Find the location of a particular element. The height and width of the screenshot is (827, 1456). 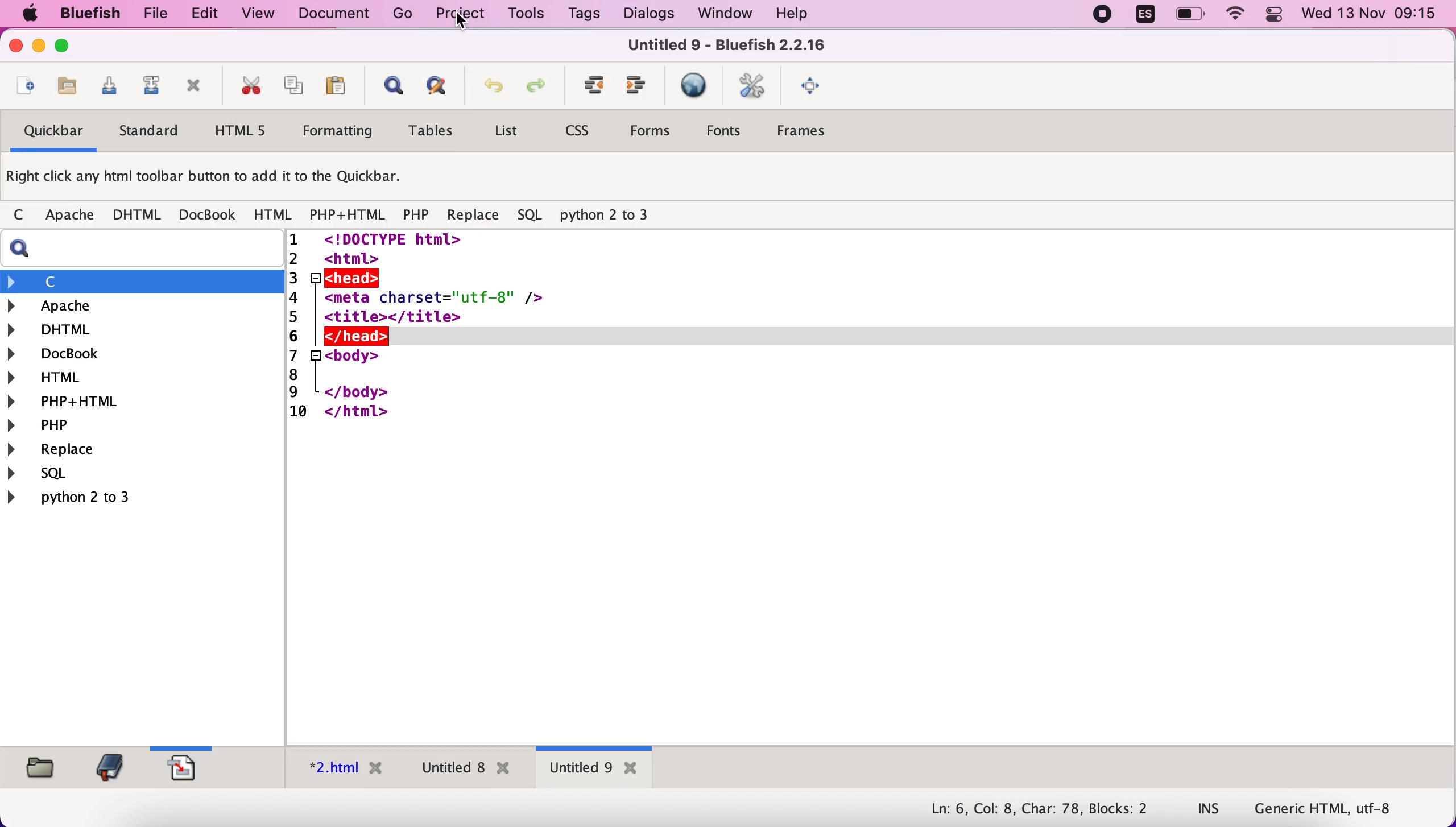

frames is located at coordinates (813, 134).